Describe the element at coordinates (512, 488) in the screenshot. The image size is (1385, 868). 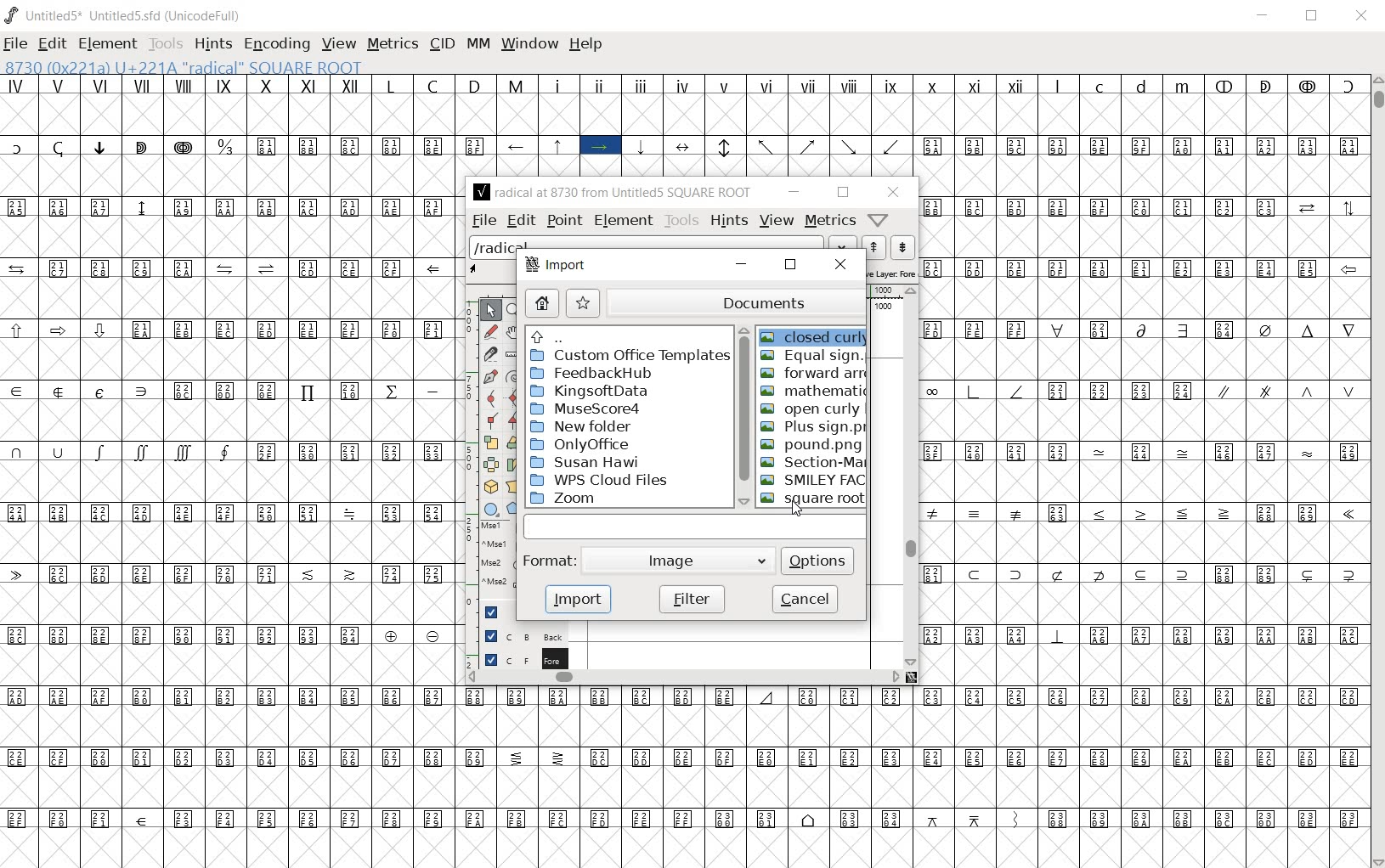
I see `perform a perspective transformation on the selection` at that location.